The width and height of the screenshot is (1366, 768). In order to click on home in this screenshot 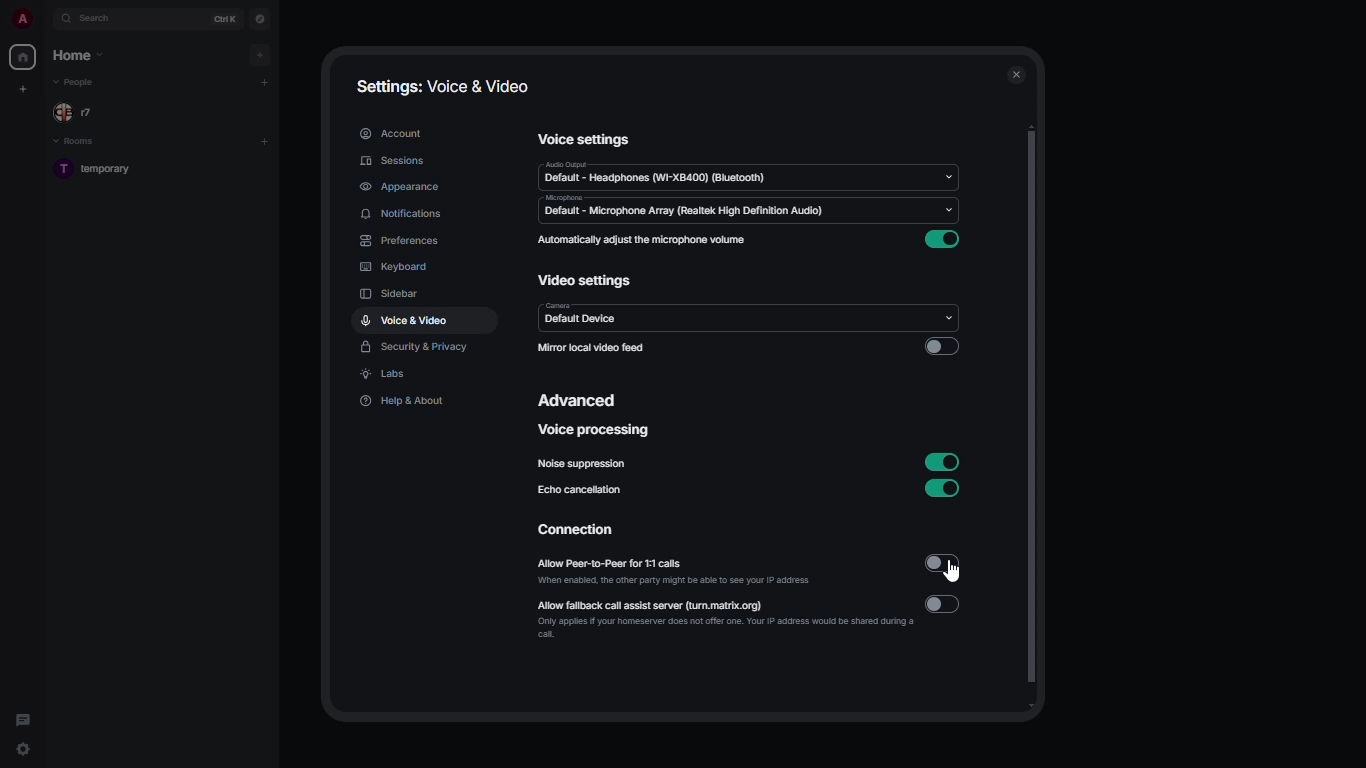, I will do `click(81, 55)`.